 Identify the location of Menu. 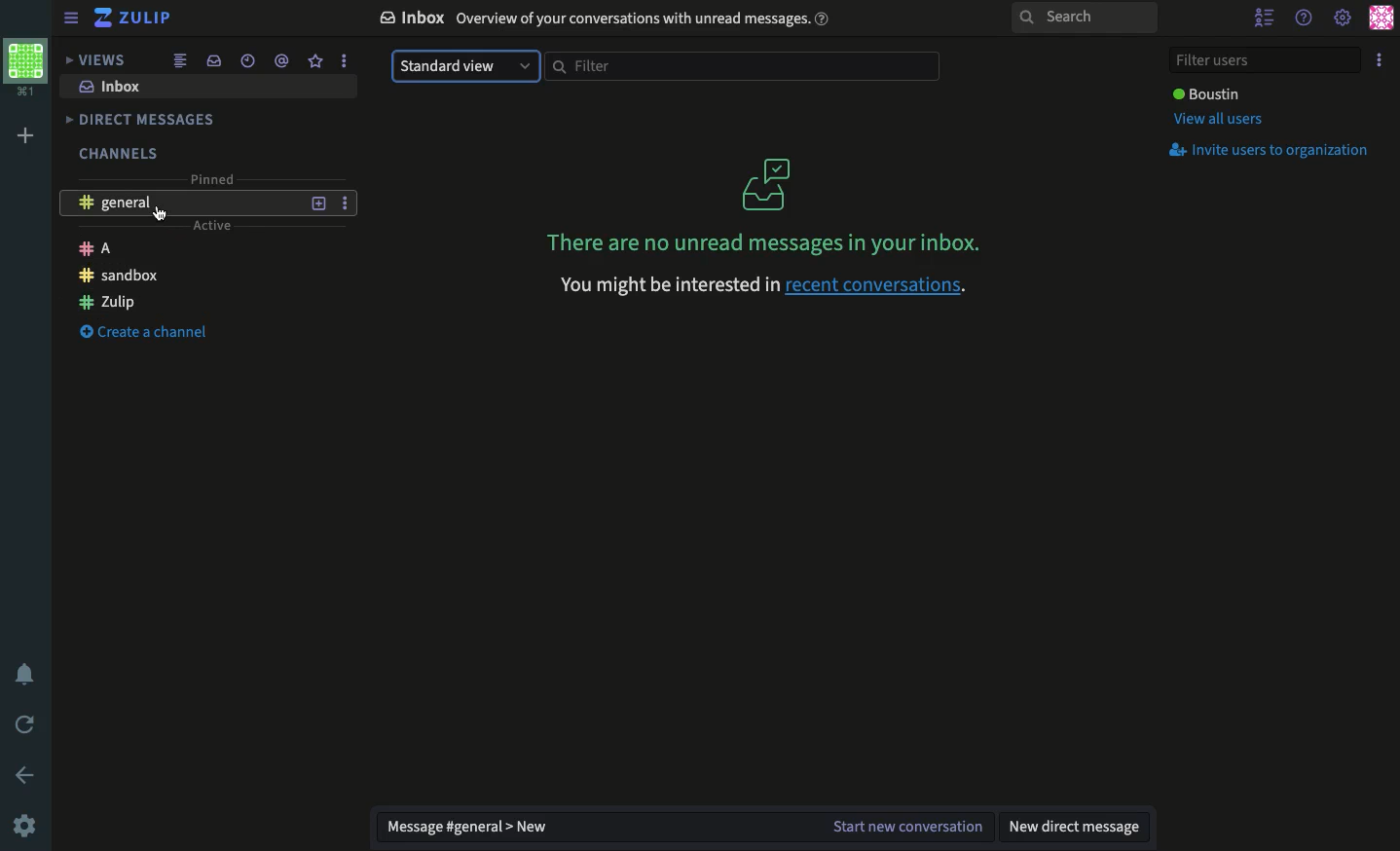
(72, 17).